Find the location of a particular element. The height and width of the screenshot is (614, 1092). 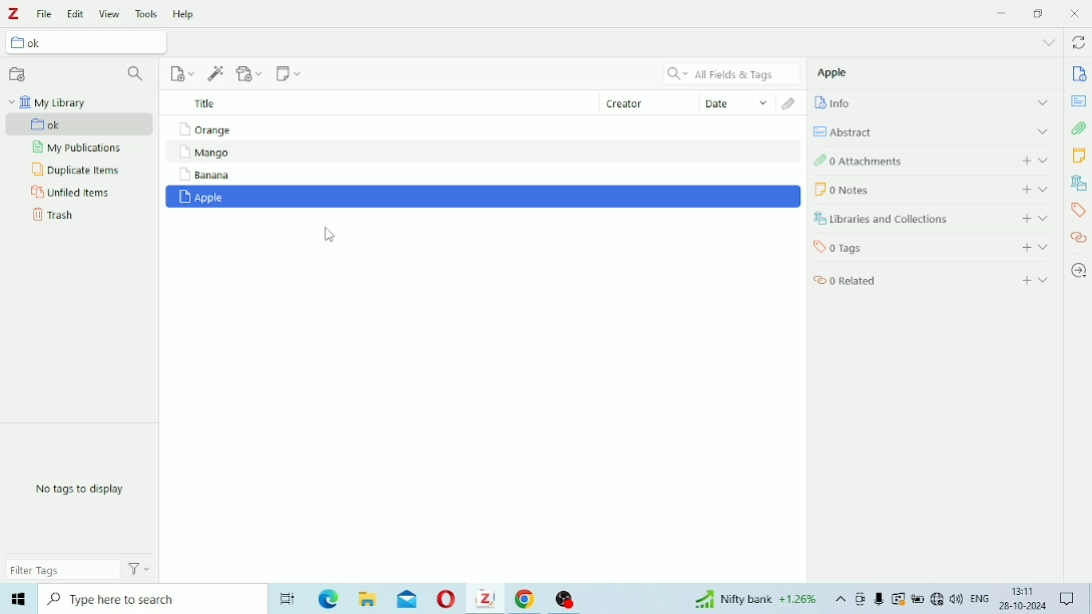

Banana is located at coordinates (480, 177).